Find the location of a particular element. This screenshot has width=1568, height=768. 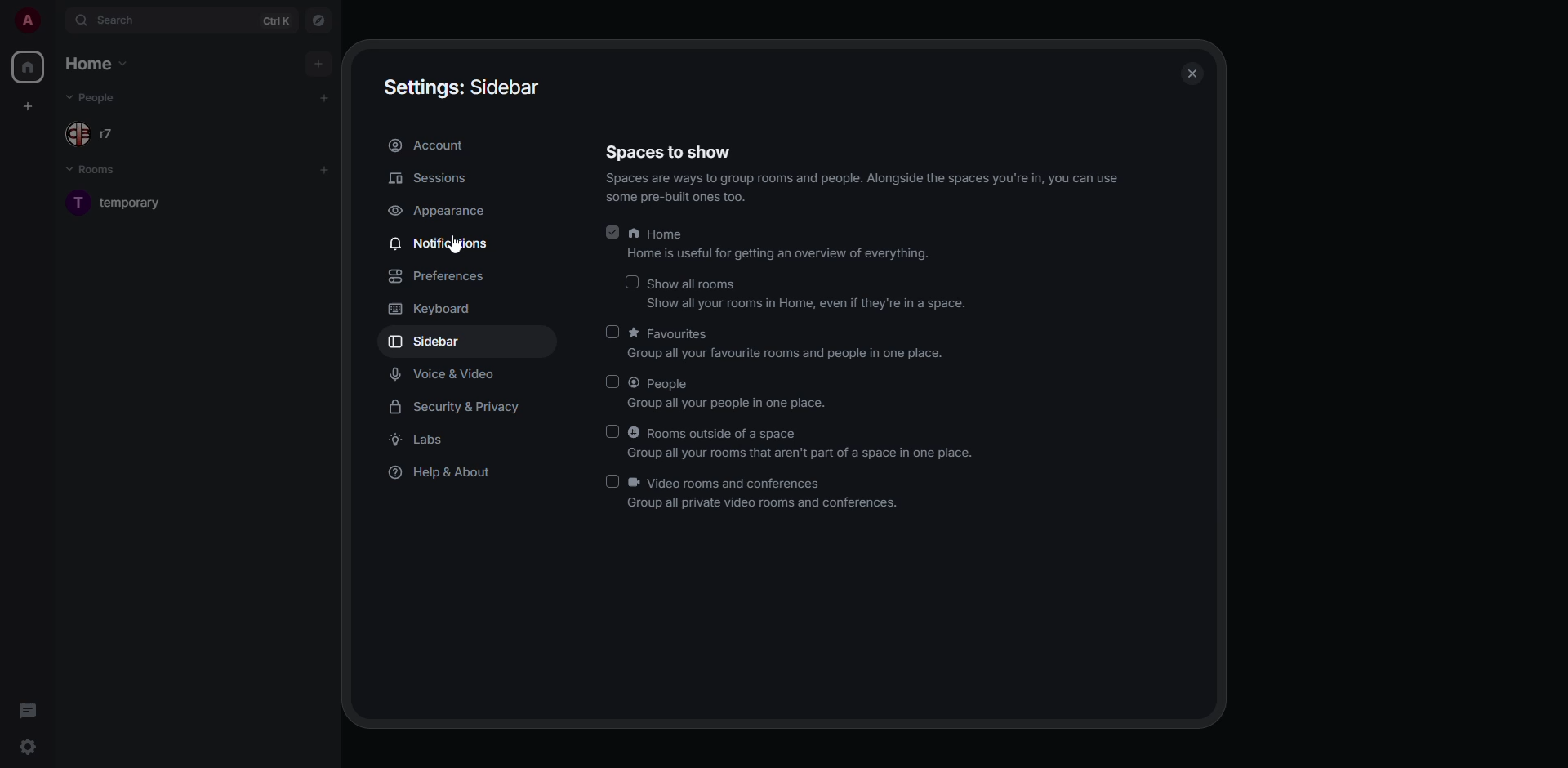

enabled is located at coordinates (613, 232).